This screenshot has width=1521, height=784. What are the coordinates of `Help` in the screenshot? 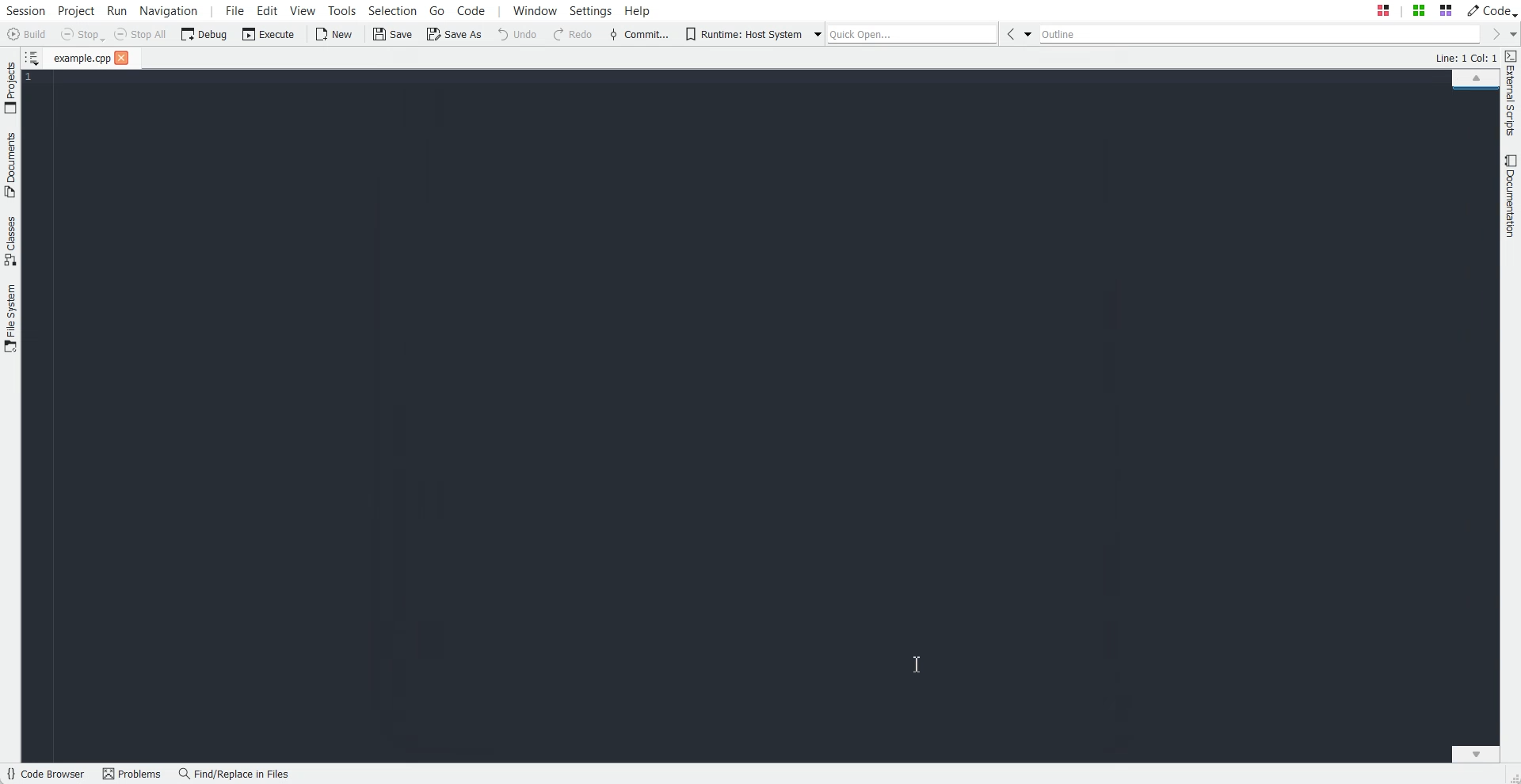 It's located at (638, 10).